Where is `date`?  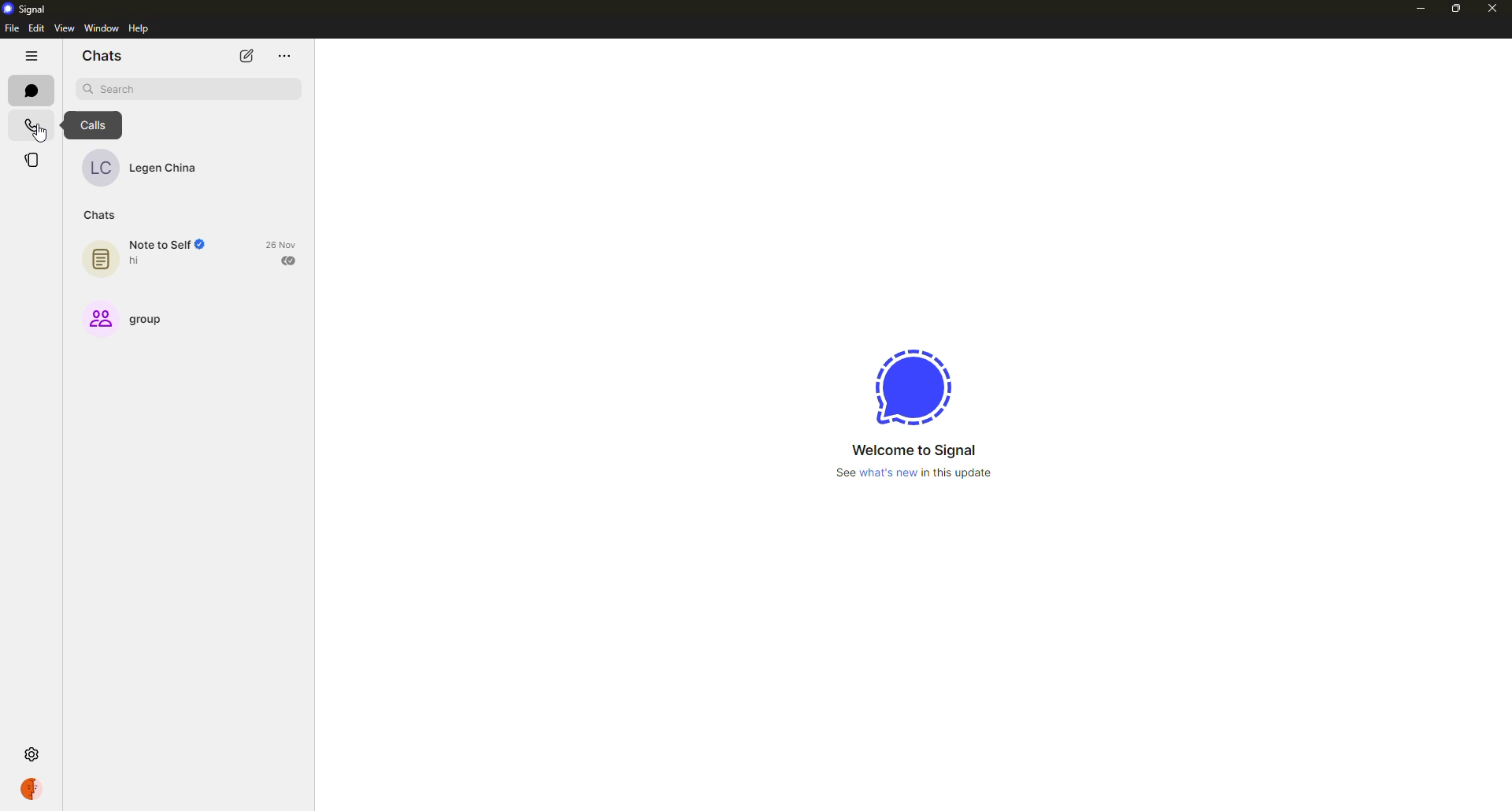 date is located at coordinates (281, 243).